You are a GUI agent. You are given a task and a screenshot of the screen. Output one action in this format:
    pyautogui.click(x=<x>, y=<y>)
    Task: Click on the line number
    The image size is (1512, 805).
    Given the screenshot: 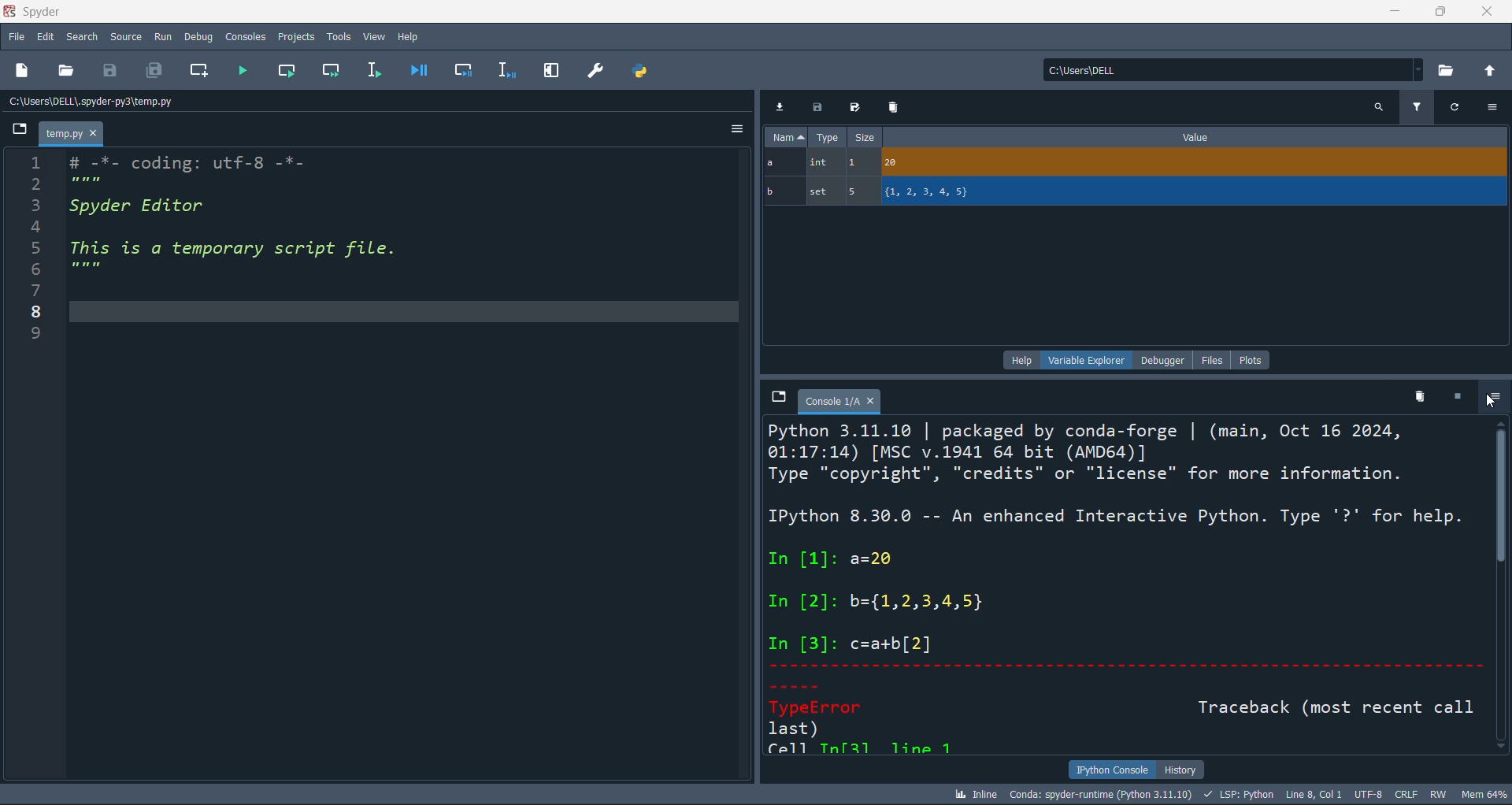 What is the action you would take?
    pyautogui.click(x=28, y=469)
    